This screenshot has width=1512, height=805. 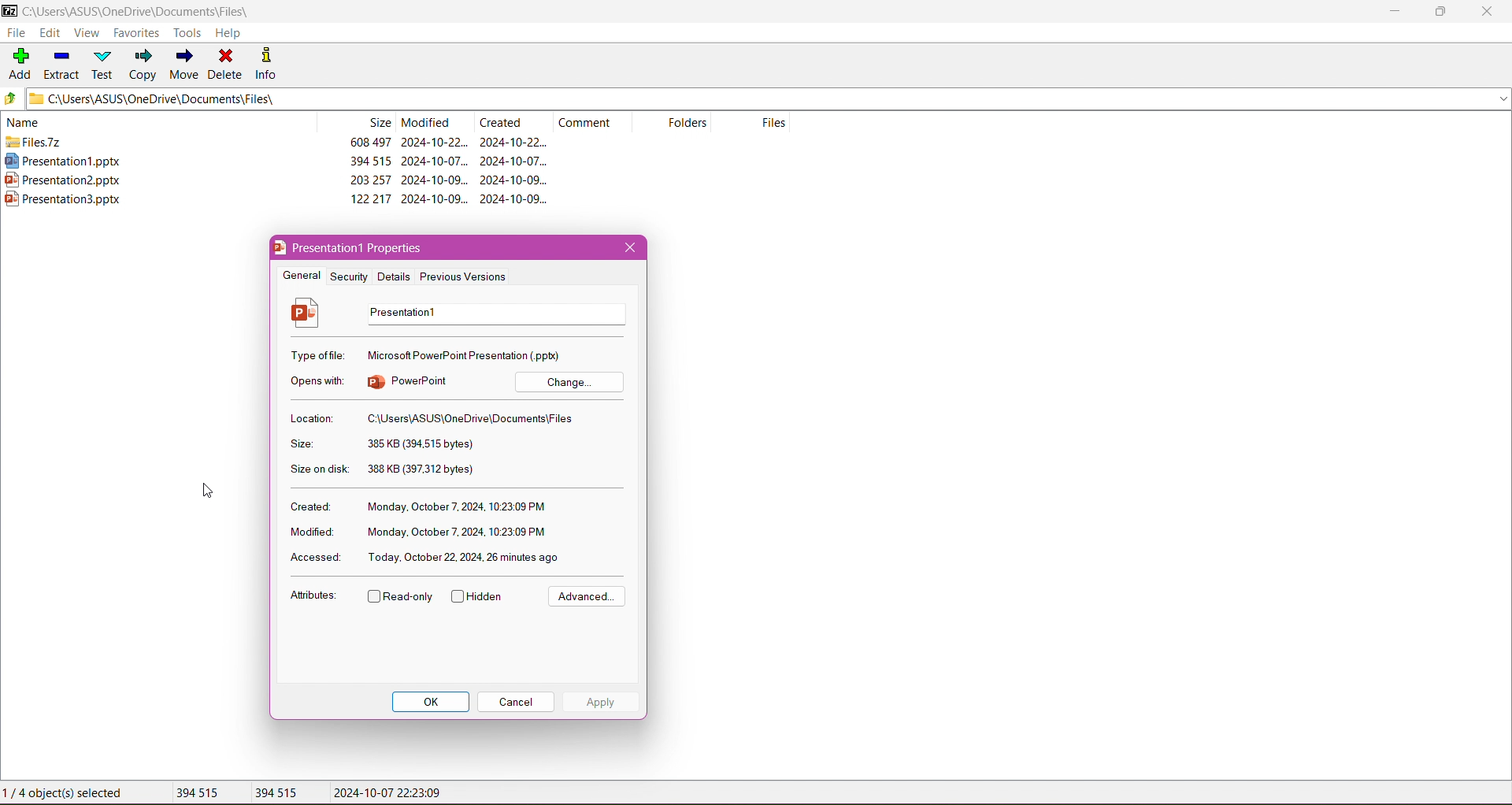 What do you see at coordinates (61, 160) in the screenshot?
I see `presentation1.pptx` at bounding box center [61, 160].